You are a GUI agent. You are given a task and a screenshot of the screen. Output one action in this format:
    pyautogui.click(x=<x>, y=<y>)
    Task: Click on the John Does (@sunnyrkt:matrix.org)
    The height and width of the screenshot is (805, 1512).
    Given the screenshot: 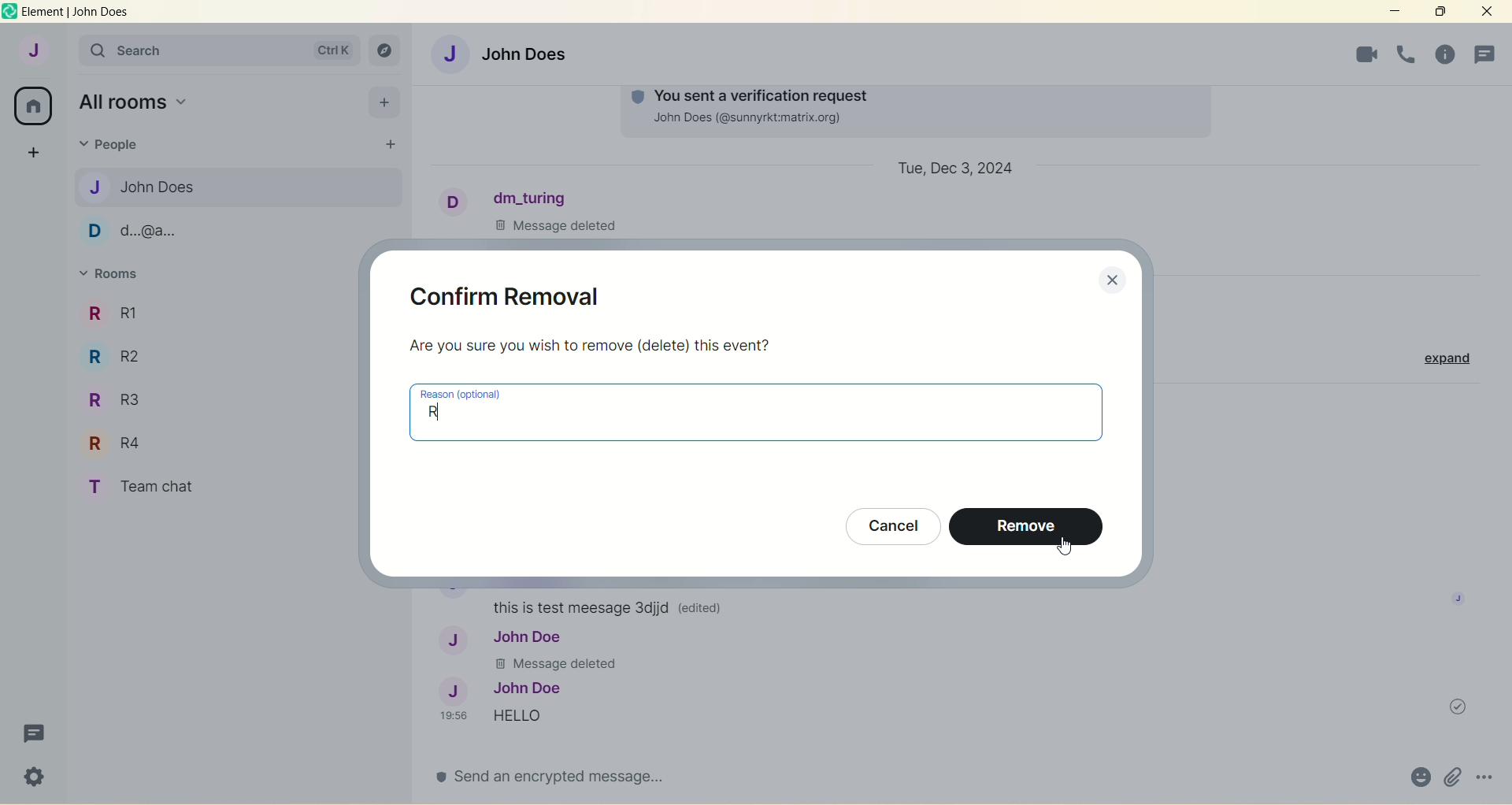 What is the action you would take?
    pyautogui.click(x=778, y=120)
    